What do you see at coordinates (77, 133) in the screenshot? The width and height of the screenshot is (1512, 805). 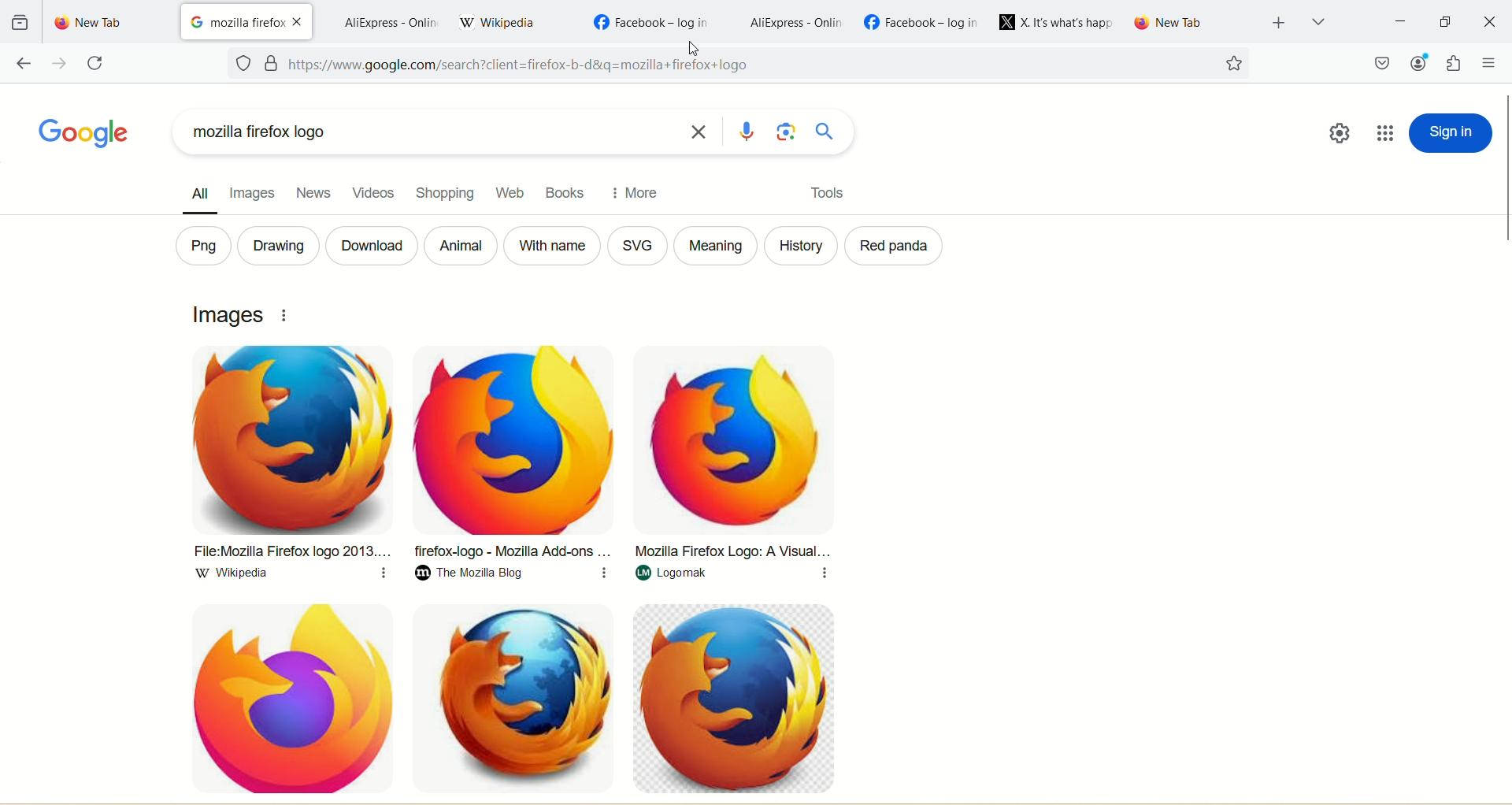 I see `google` at bounding box center [77, 133].